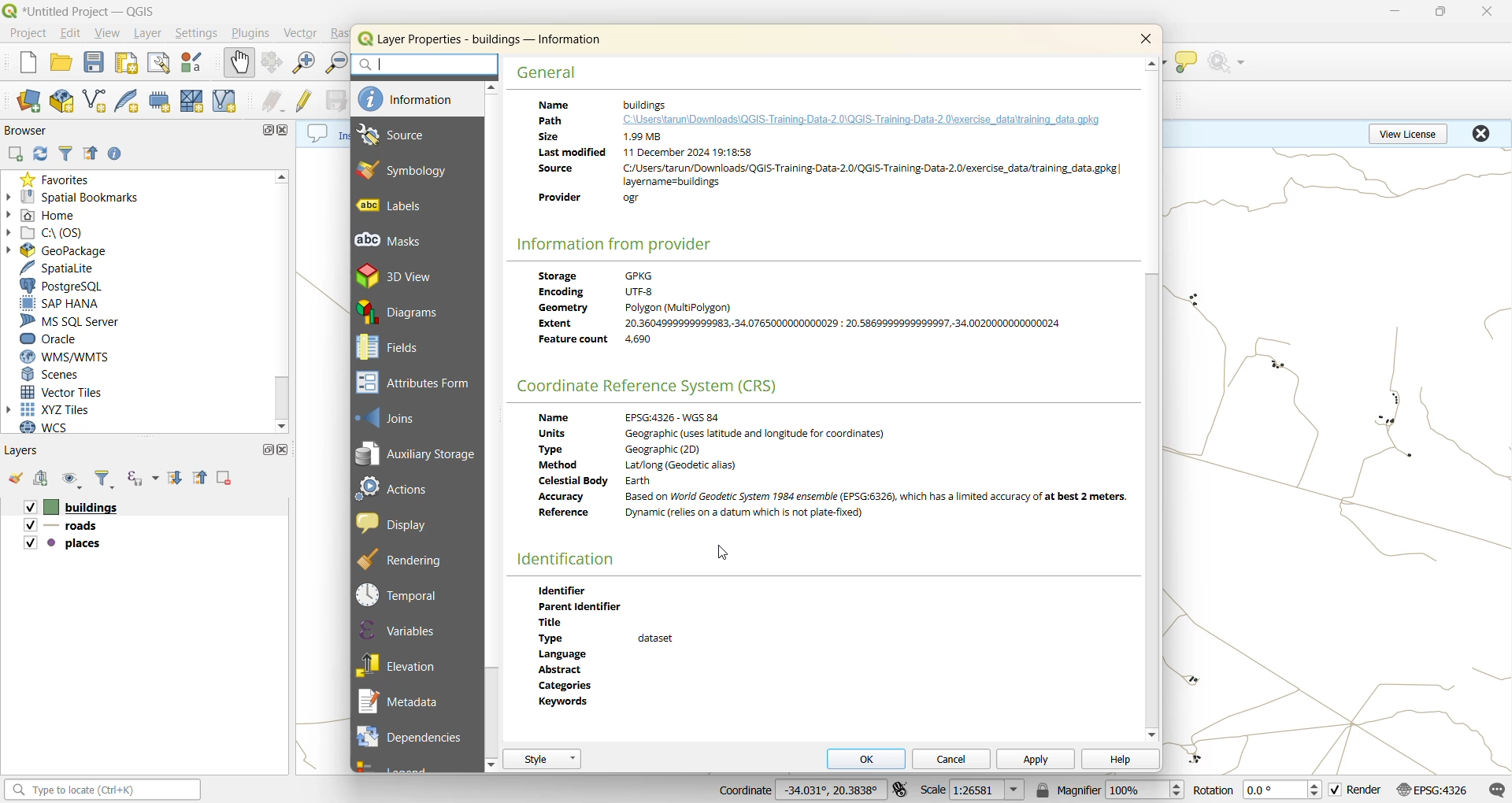 This screenshot has height=803, width=1512. What do you see at coordinates (899, 790) in the screenshot?
I see `toggle extents` at bounding box center [899, 790].